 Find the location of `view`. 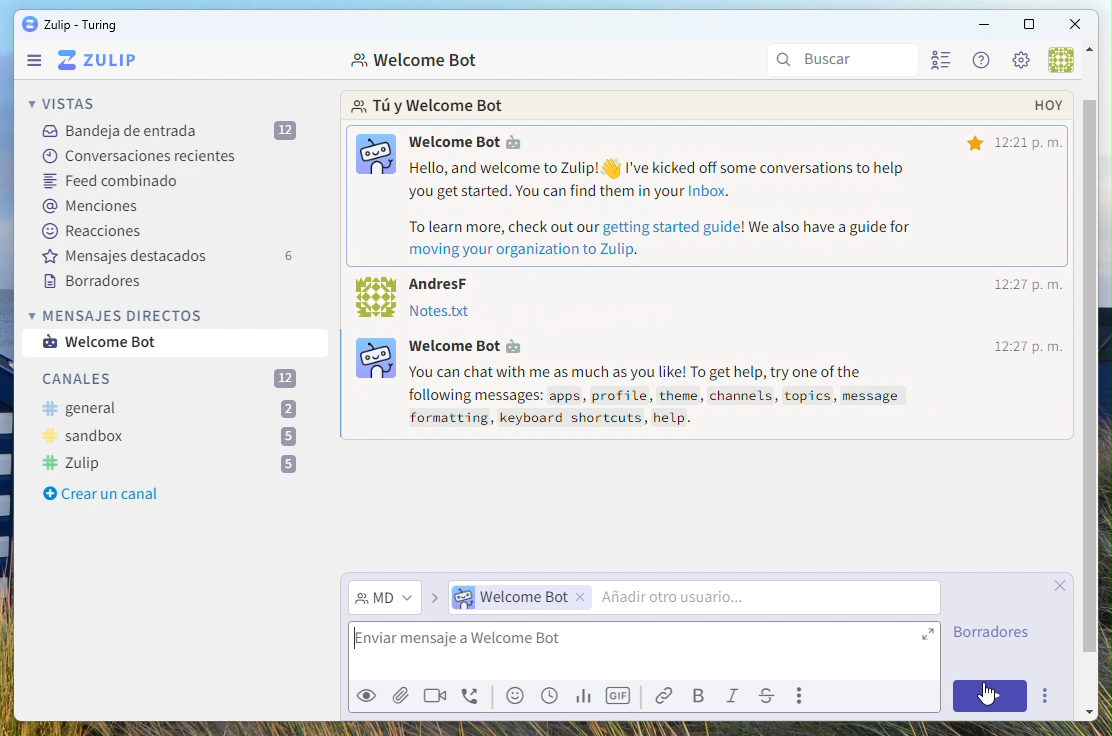

view is located at coordinates (365, 699).